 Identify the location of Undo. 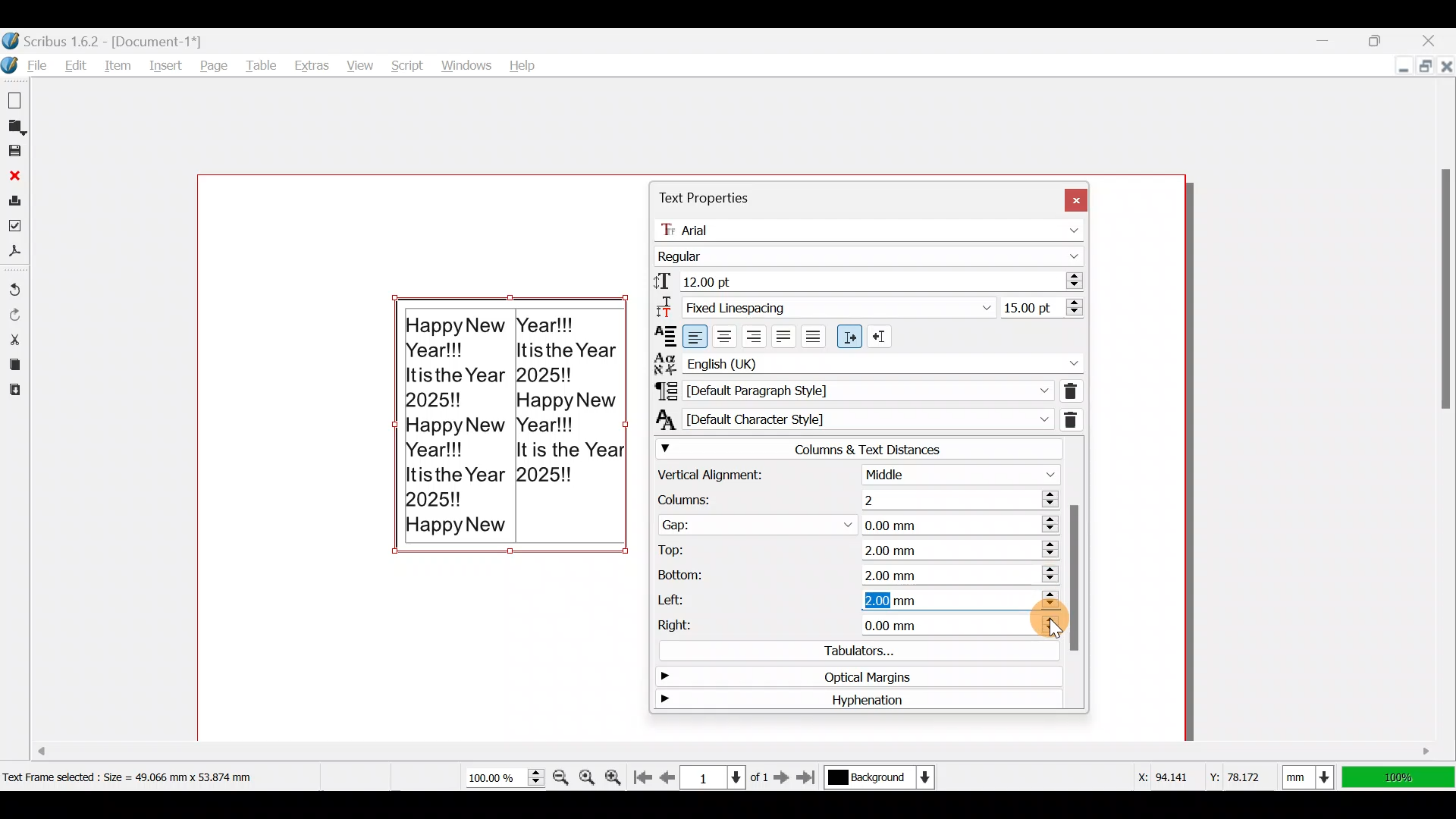
(15, 283).